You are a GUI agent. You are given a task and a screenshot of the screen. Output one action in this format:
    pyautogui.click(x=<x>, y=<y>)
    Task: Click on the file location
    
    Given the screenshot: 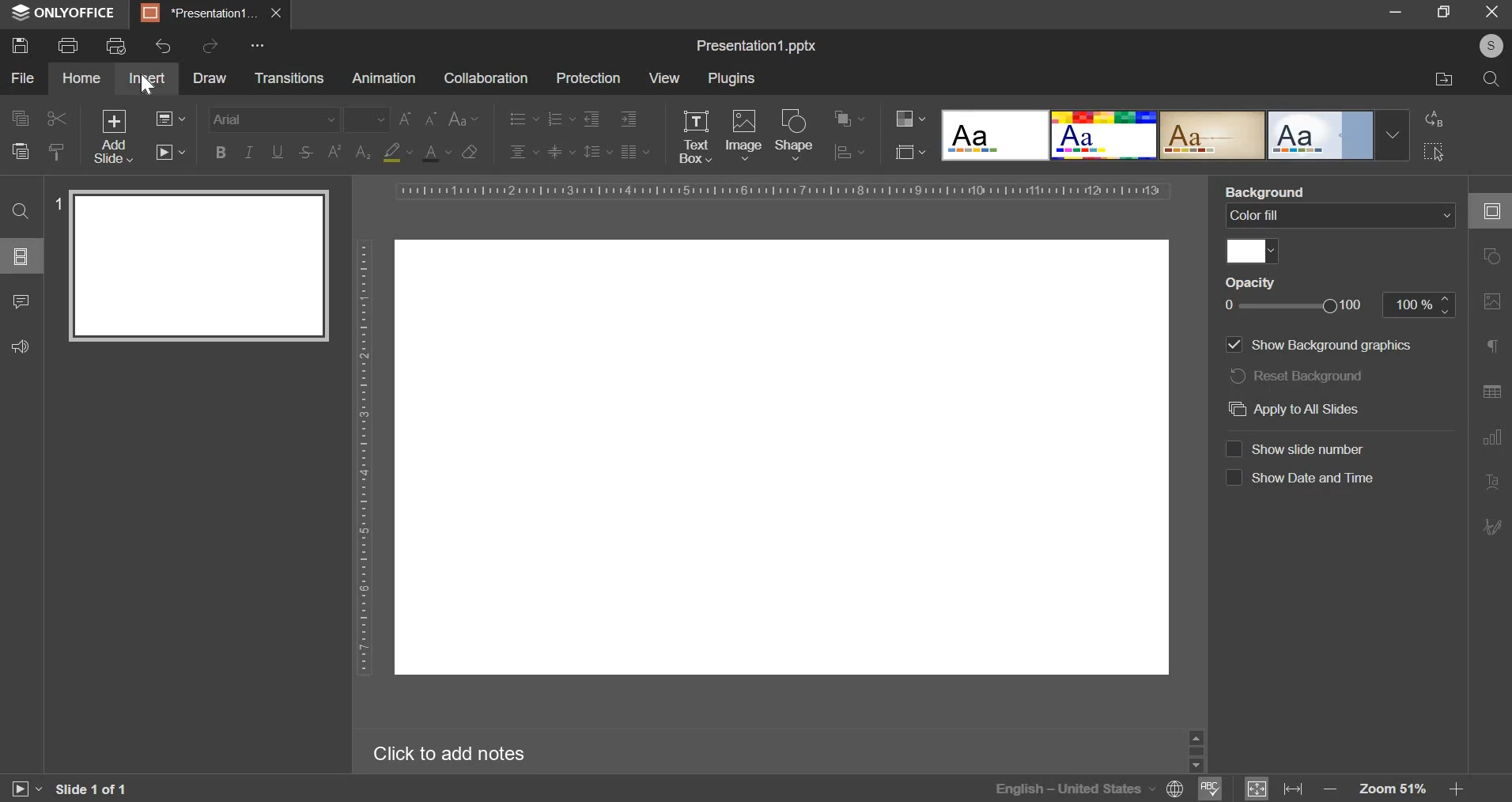 What is the action you would take?
    pyautogui.click(x=1444, y=78)
    